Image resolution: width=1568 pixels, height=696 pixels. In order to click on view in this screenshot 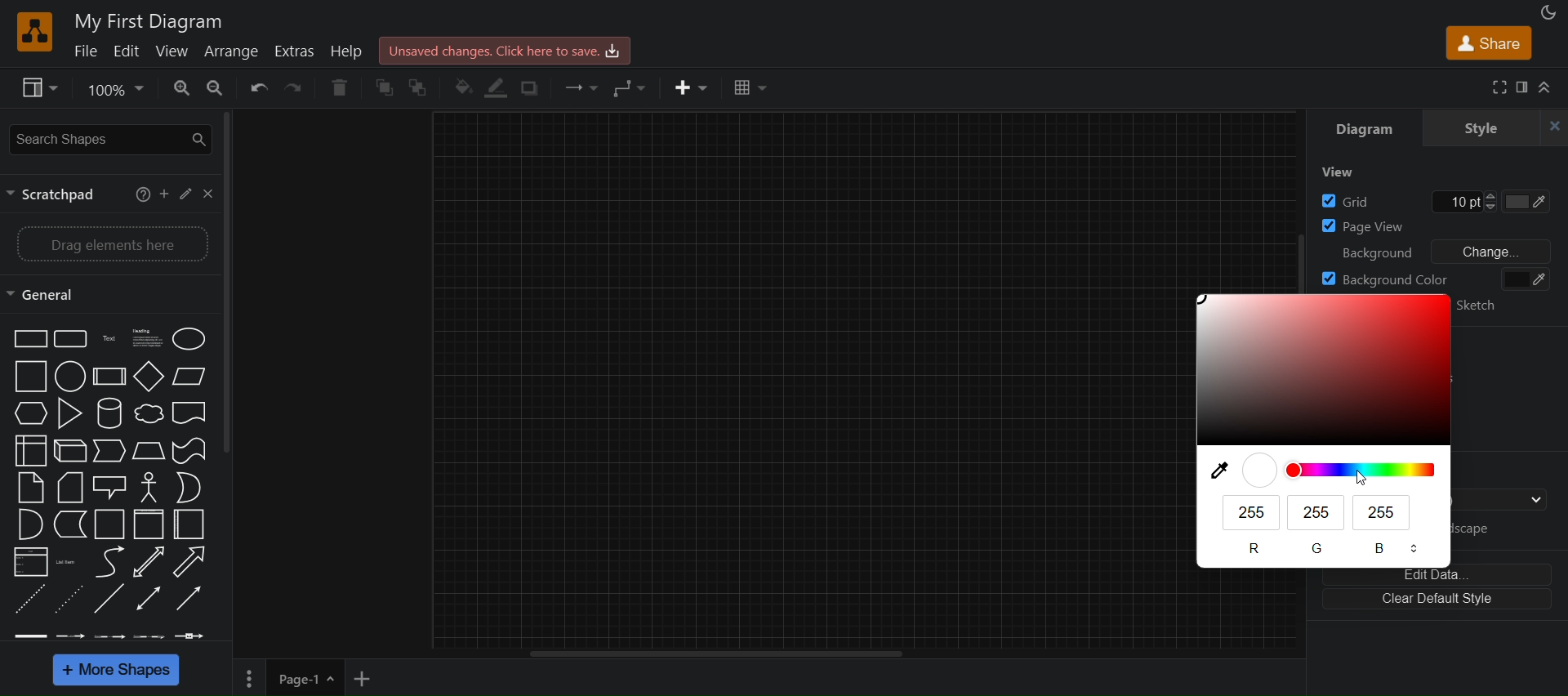, I will do `click(172, 53)`.